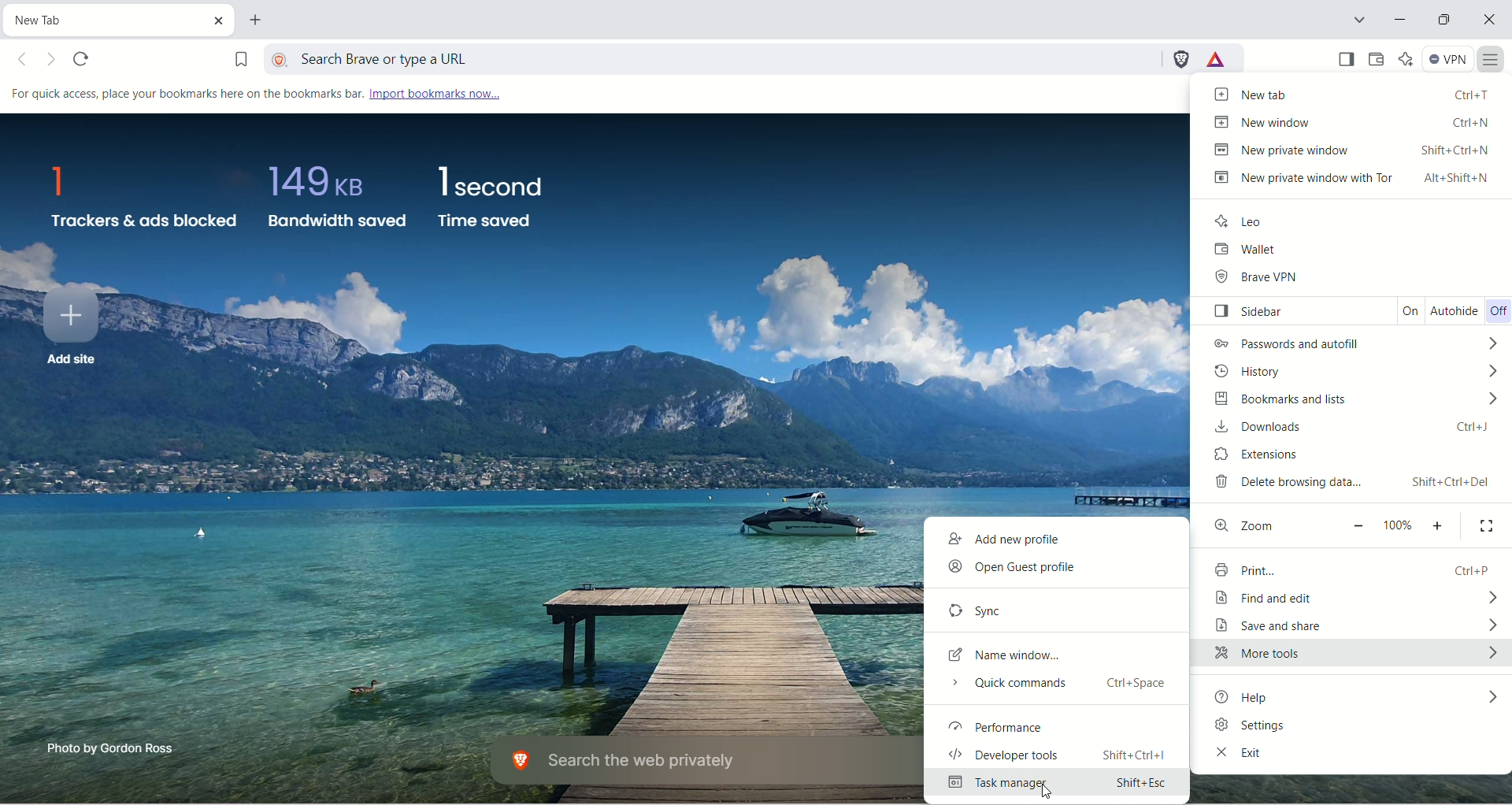 The image size is (1512, 805). Describe the element at coordinates (1343, 455) in the screenshot. I see `extensions` at that location.